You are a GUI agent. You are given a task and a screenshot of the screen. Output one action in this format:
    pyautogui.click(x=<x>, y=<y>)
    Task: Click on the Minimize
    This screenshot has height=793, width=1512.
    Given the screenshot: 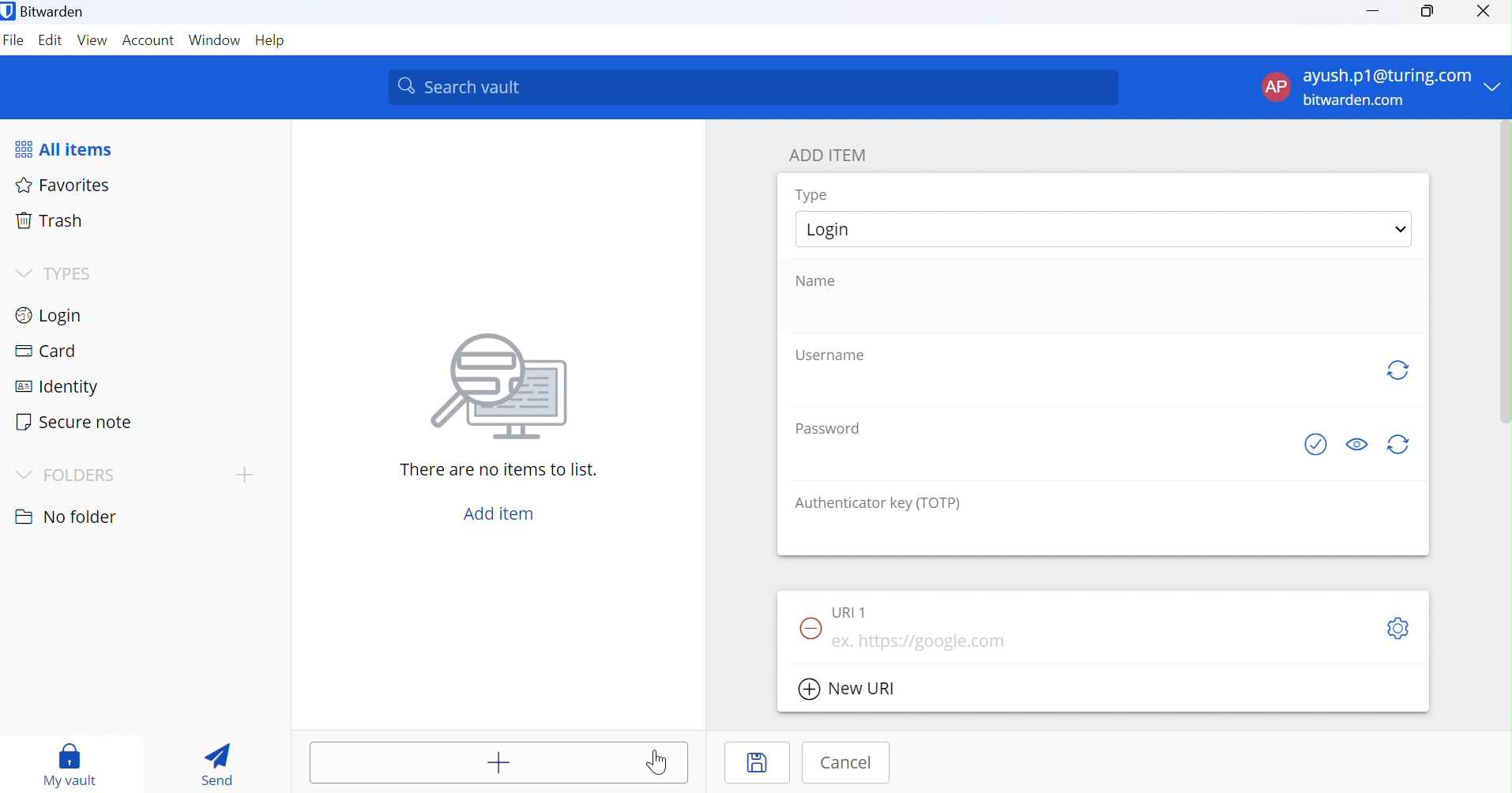 What is the action you would take?
    pyautogui.click(x=1374, y=11)
    